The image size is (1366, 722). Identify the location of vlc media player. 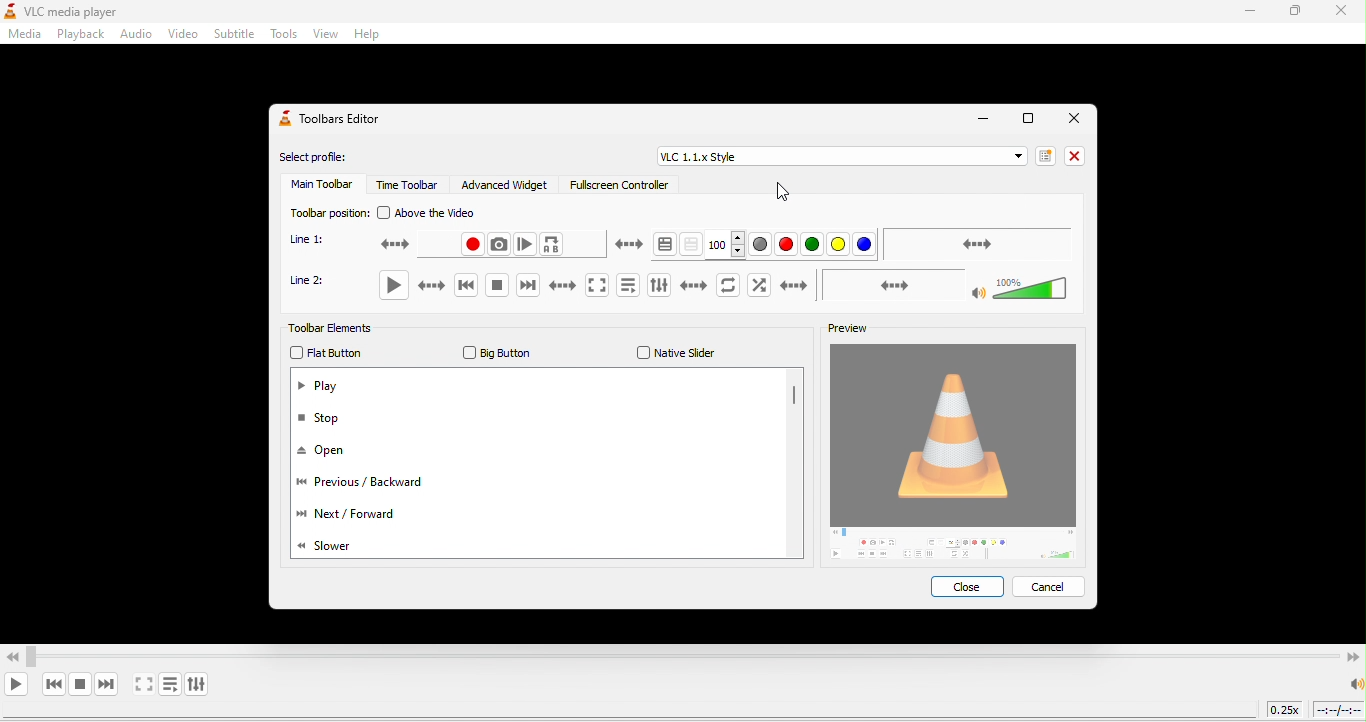
(79, 12).